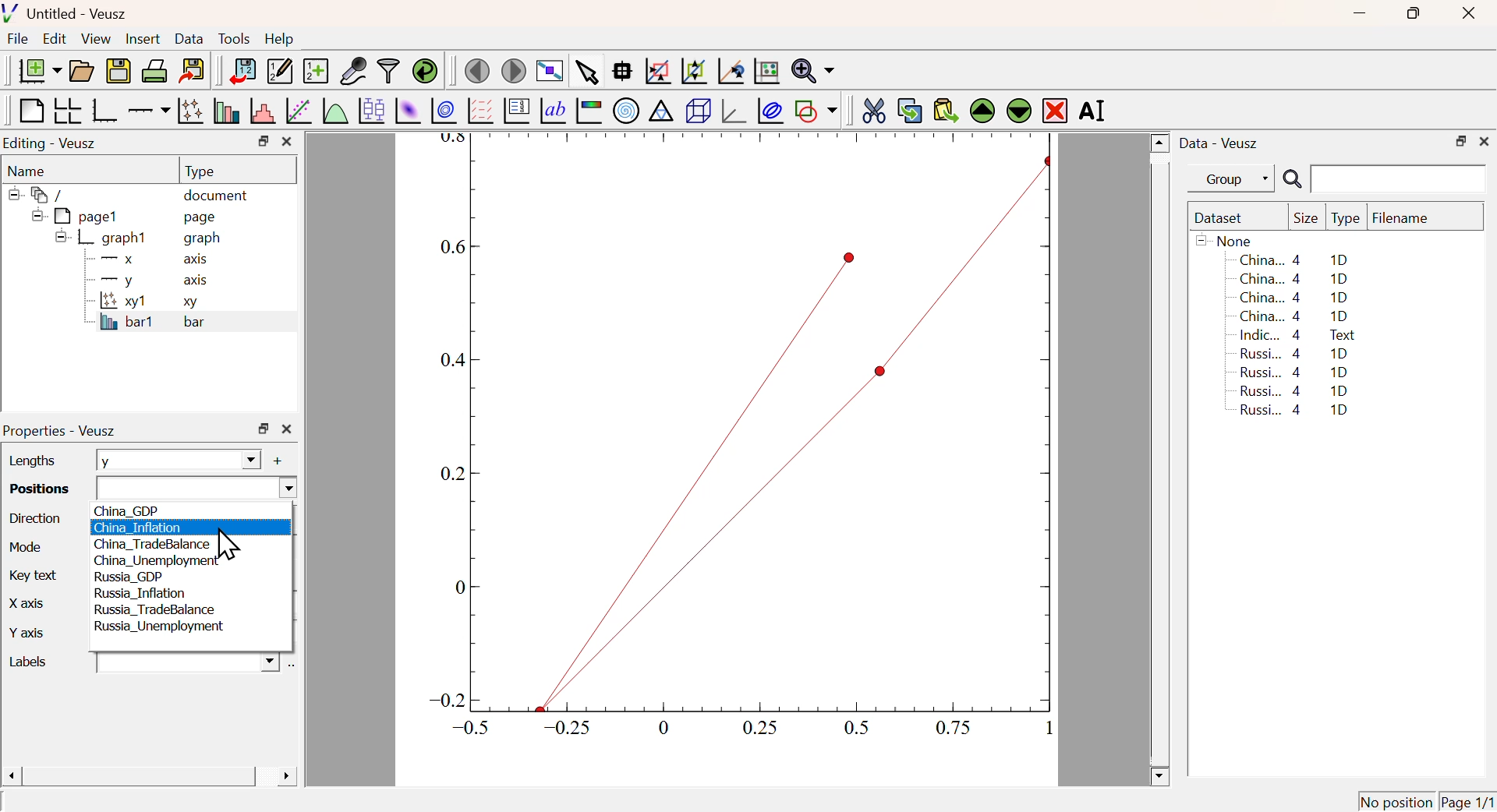  What do you see at coordinates (69, 15) in the screenshot?
I see `Untitled - Veusz` at bounding box center [69, 15].